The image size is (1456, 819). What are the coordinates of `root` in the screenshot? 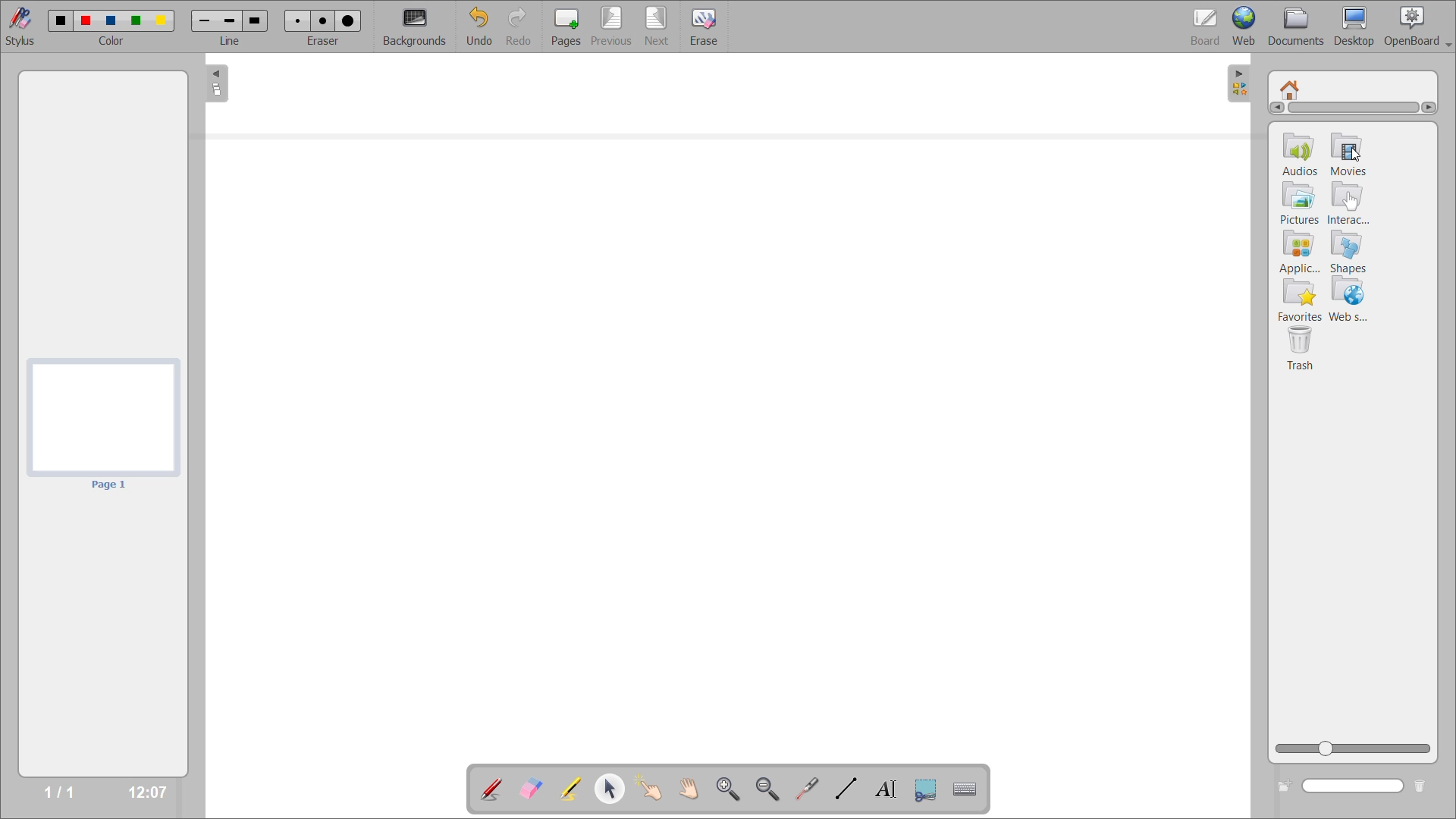 It's located at (1291, 86).